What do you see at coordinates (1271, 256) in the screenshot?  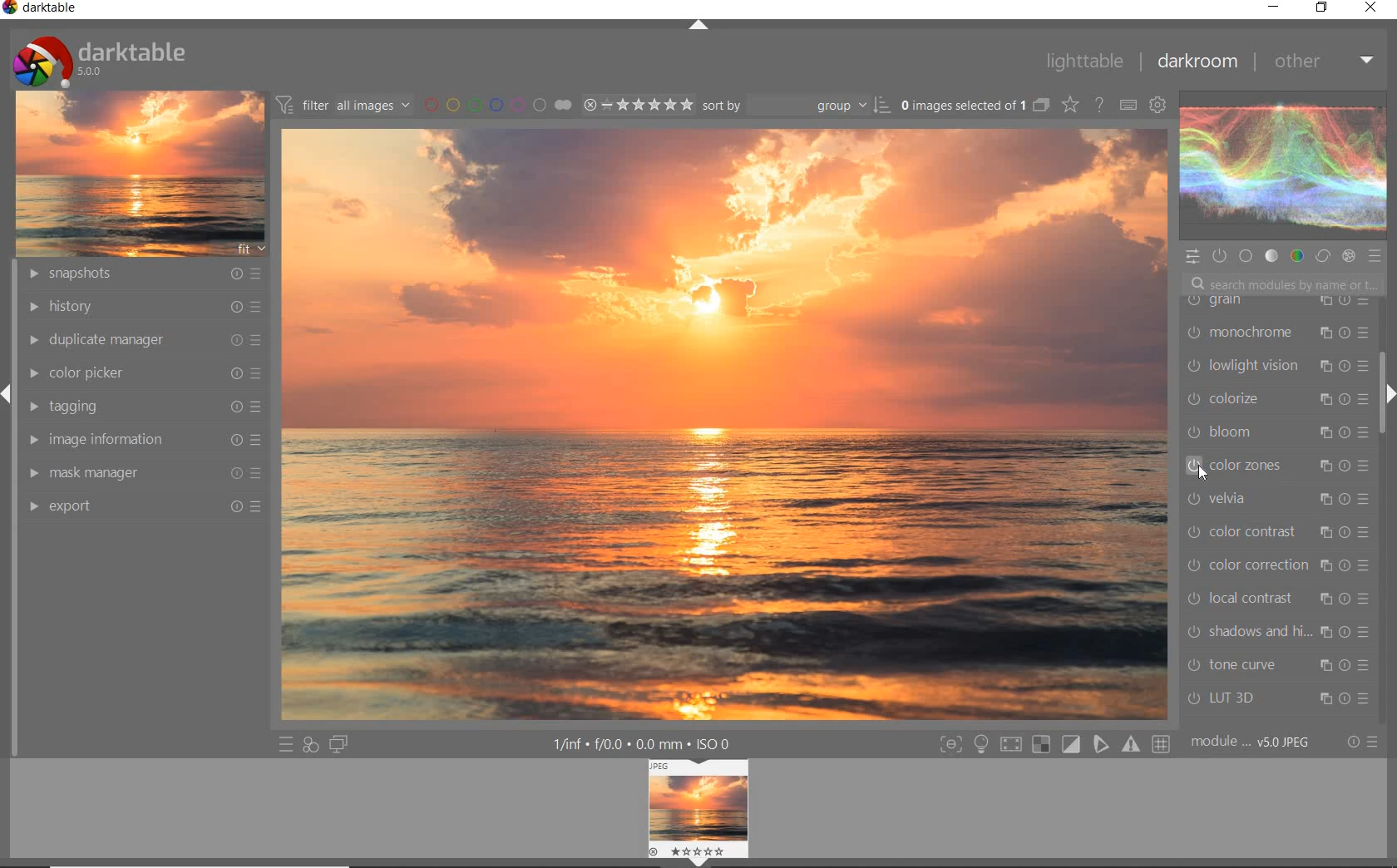 I see `TONE ` at bounding box center [1271, 256].